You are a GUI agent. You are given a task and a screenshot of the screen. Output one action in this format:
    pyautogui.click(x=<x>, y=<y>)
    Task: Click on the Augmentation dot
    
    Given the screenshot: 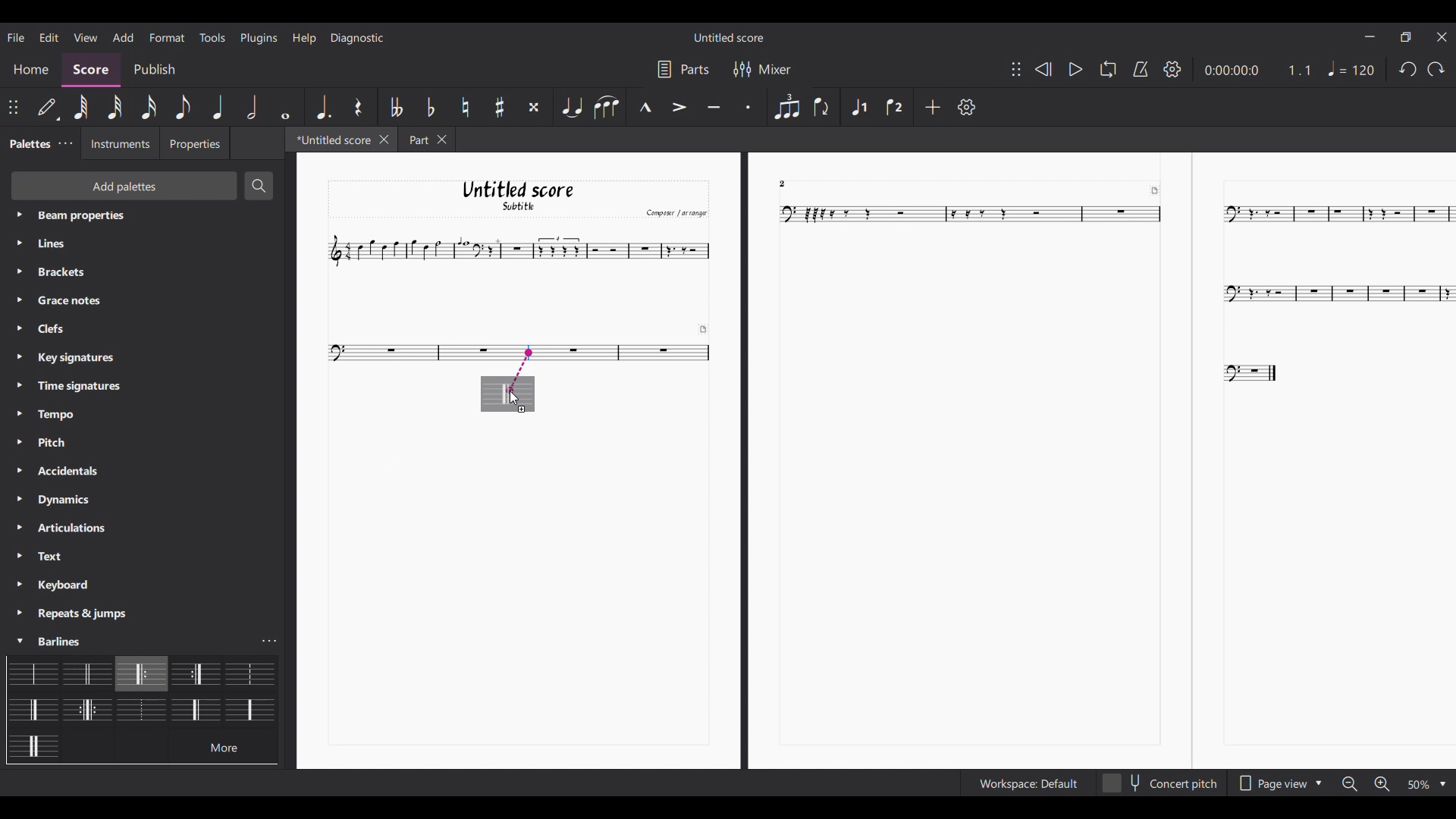 What is the action you would take?
    pyautogui.click(x=323, y=108)
    